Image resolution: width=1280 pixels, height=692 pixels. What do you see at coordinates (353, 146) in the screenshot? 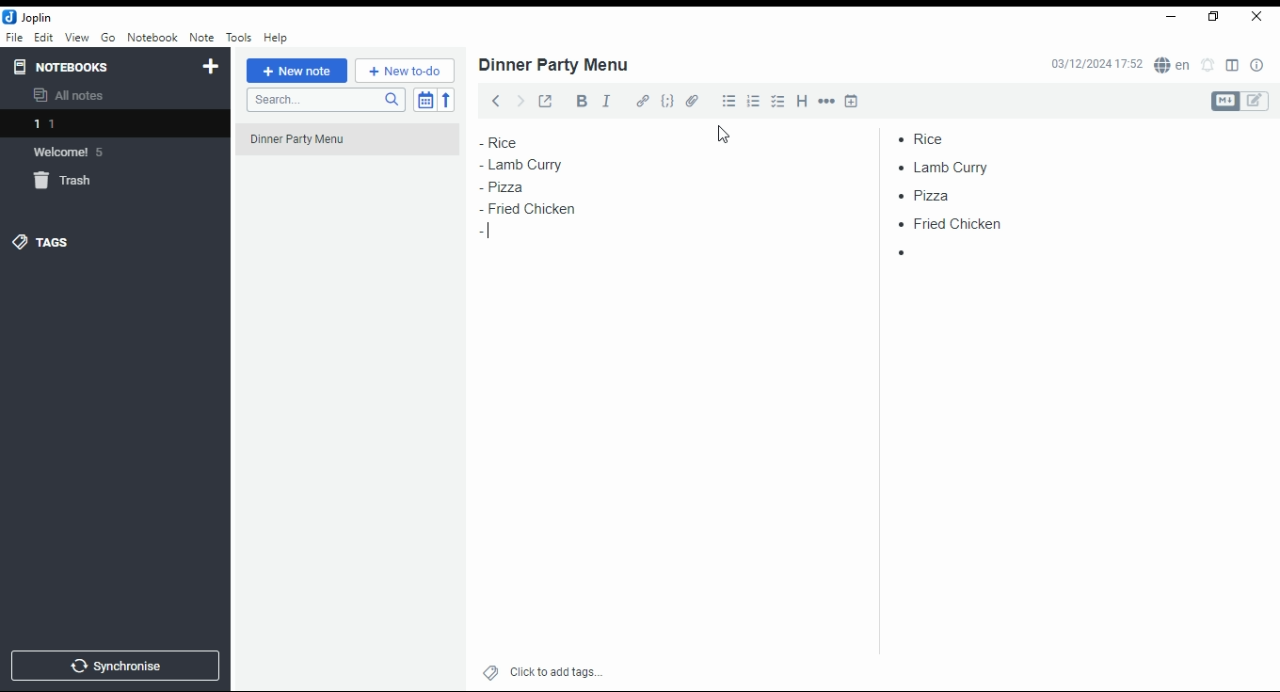
I see `dinner party menu` at bounding box center [353, 146].